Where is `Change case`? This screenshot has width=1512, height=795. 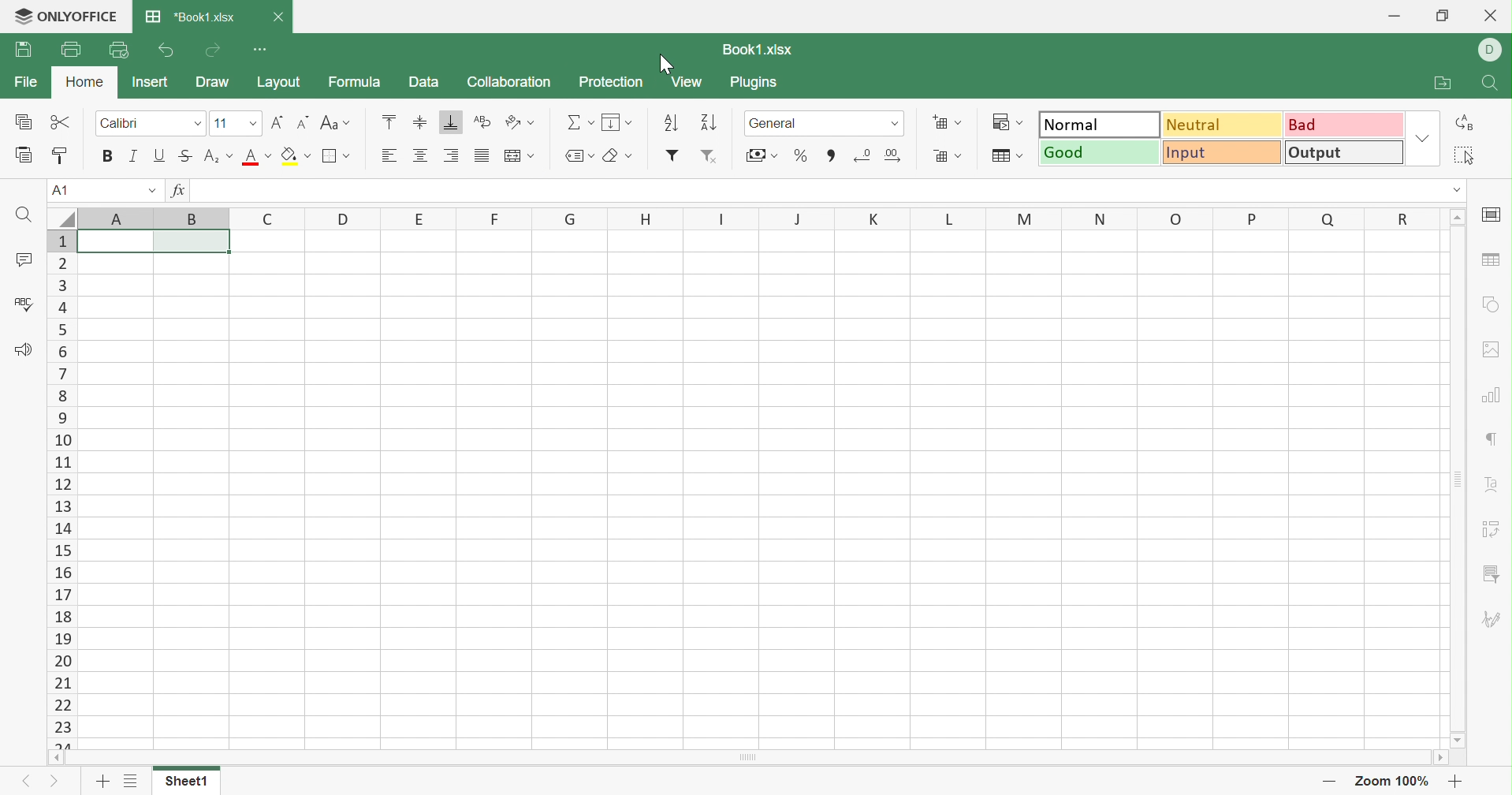
Change case is located at coordinates (338, 124).